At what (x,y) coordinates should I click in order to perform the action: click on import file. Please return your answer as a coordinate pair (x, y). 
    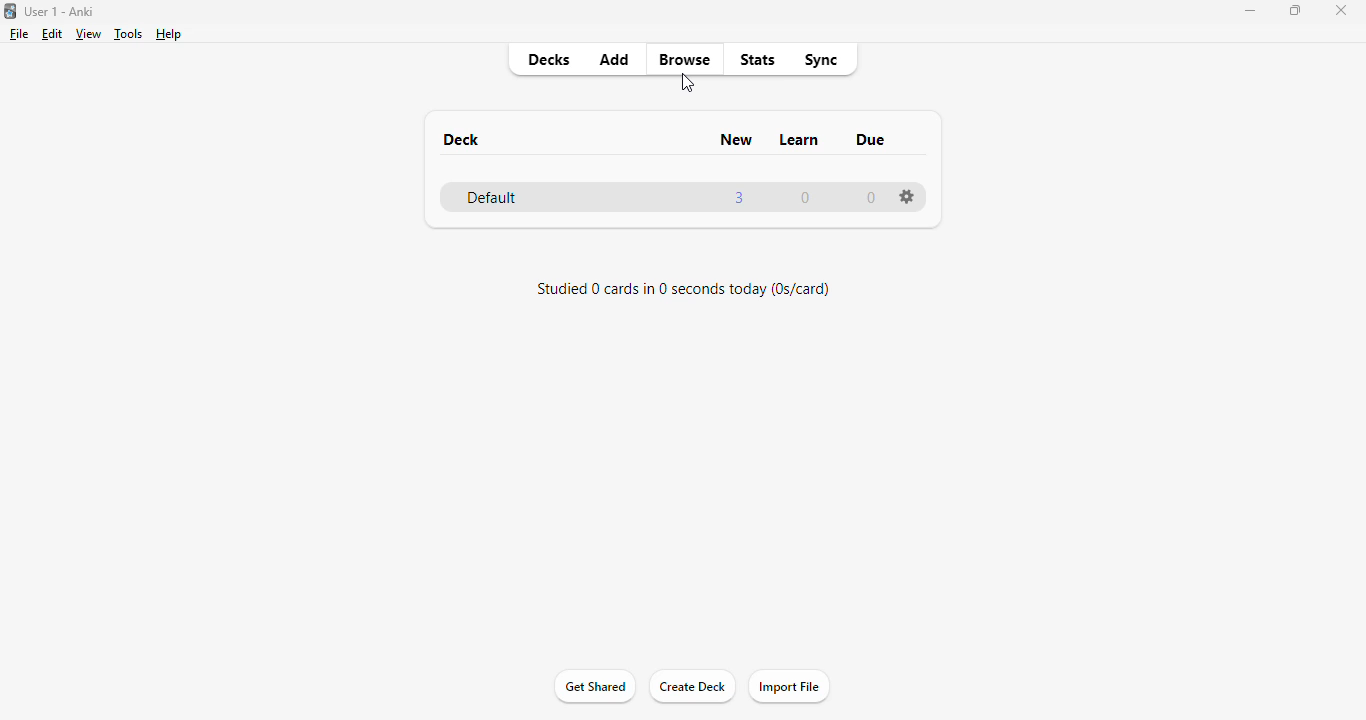
    Looking at the image, I should click on (790, 687).